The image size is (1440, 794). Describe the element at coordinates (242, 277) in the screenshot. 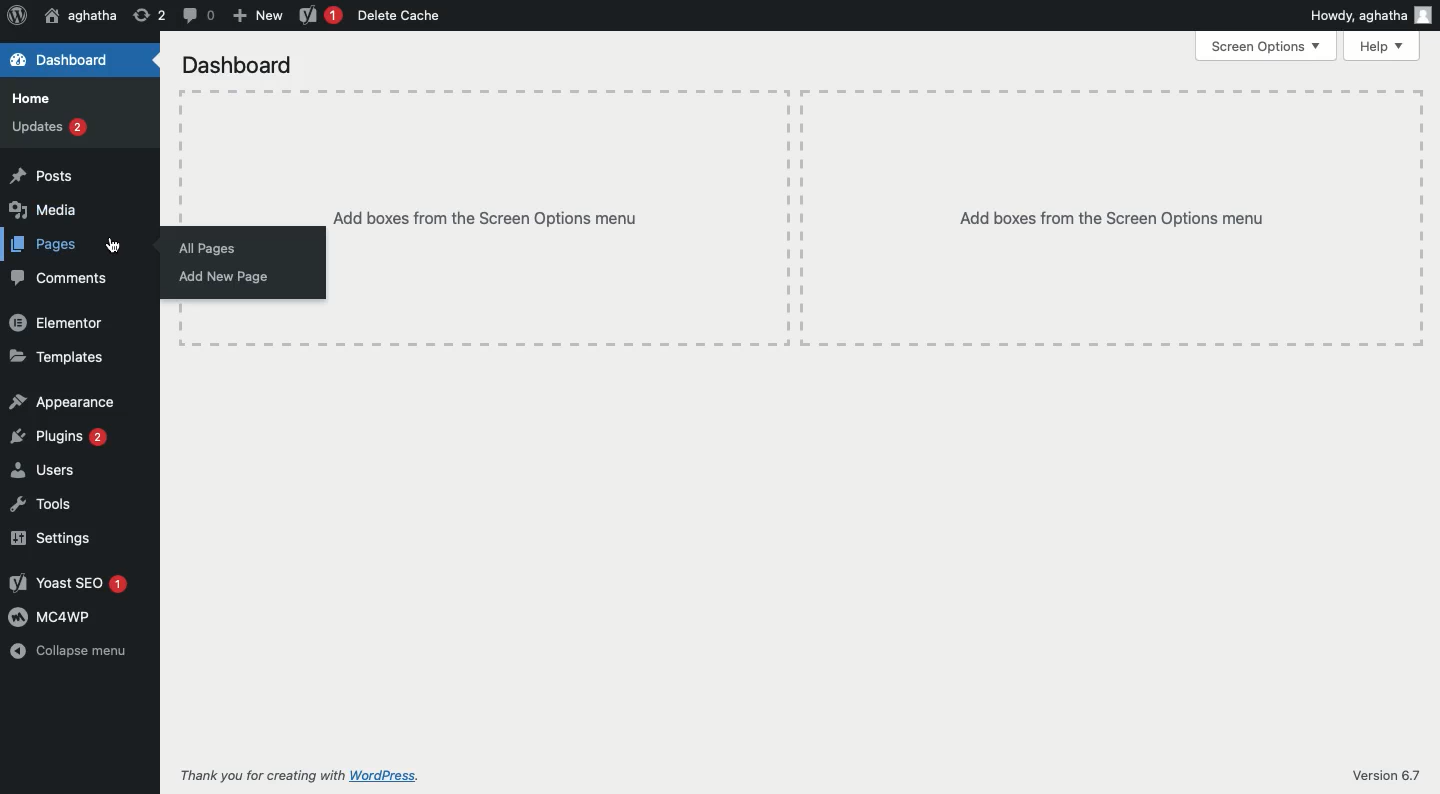

I see `Add new page` at that location.